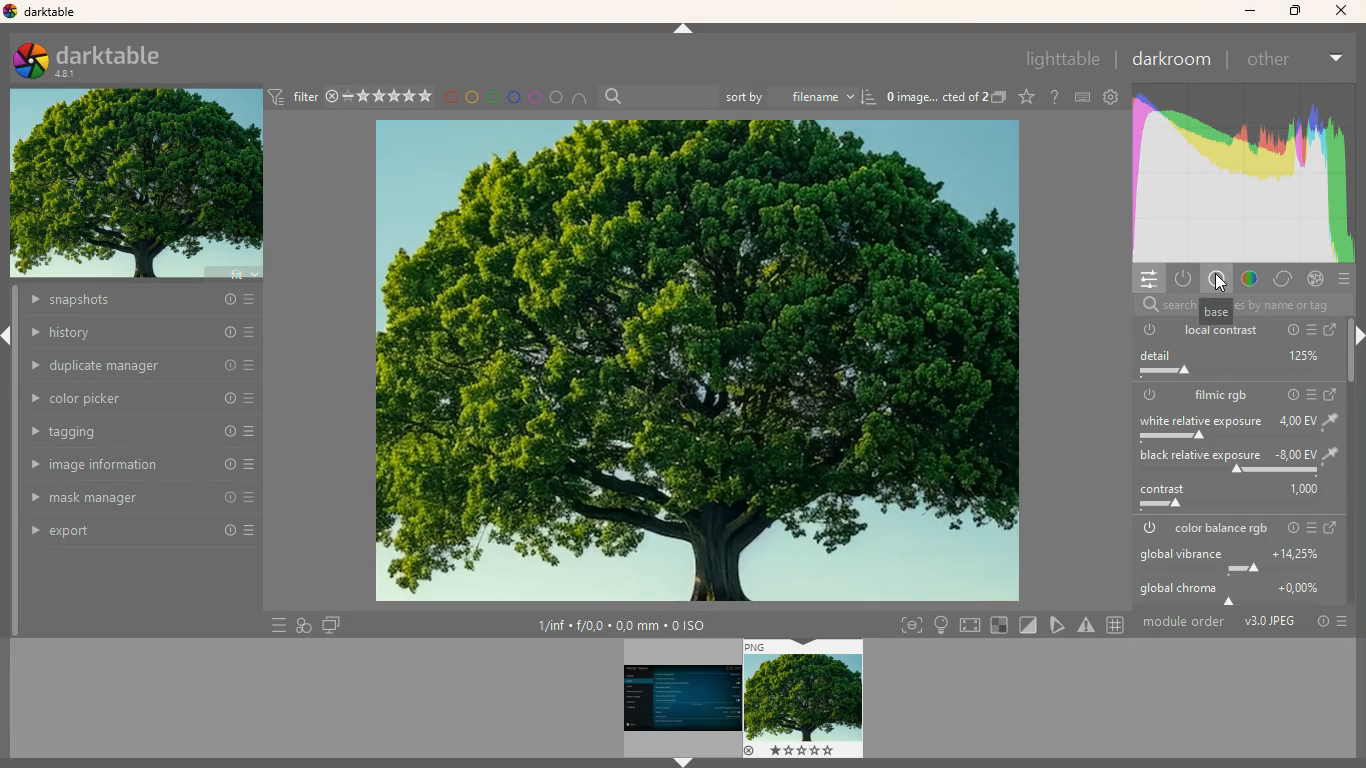  I want to click on global vibrance, so click(1240, 561).